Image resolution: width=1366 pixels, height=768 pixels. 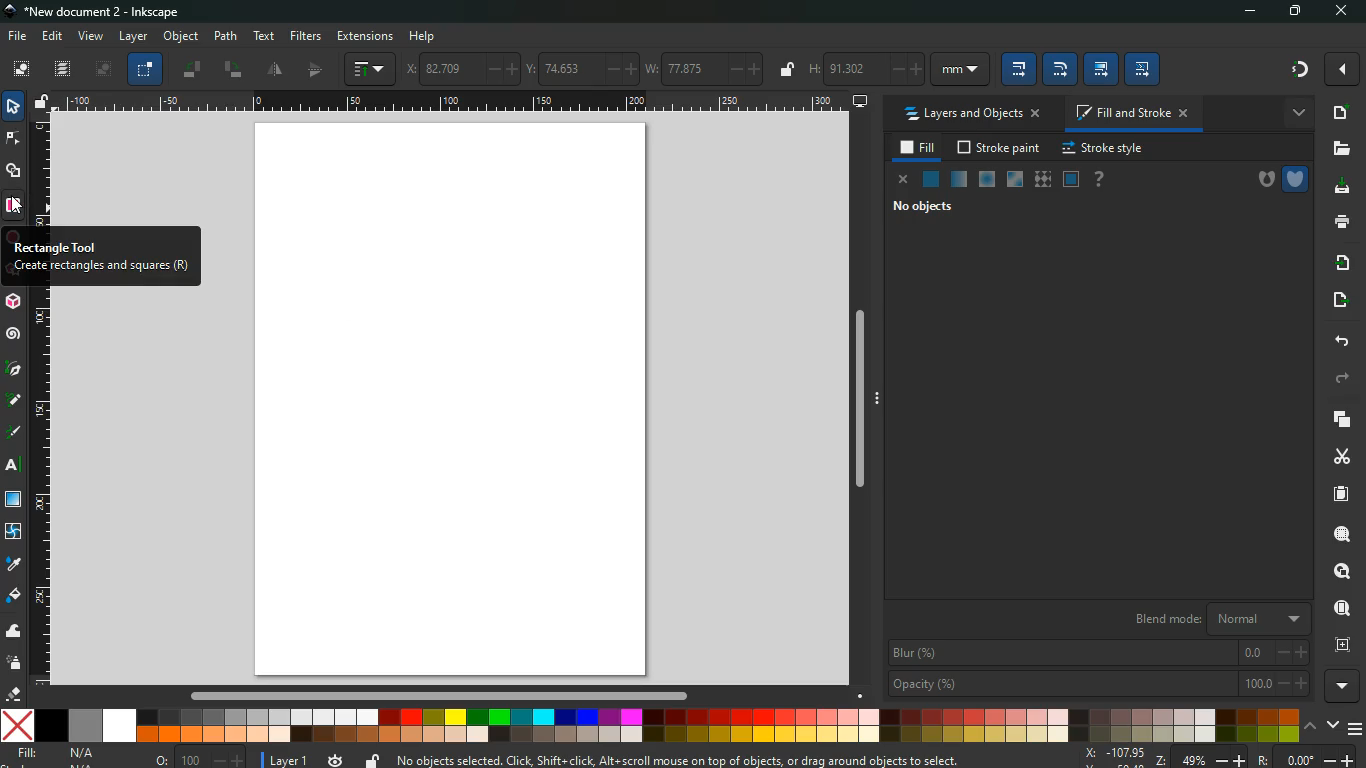 What do you see at coordinates (333, 759) in the screenshot?
I see `time` at bounding box center [333, 759].